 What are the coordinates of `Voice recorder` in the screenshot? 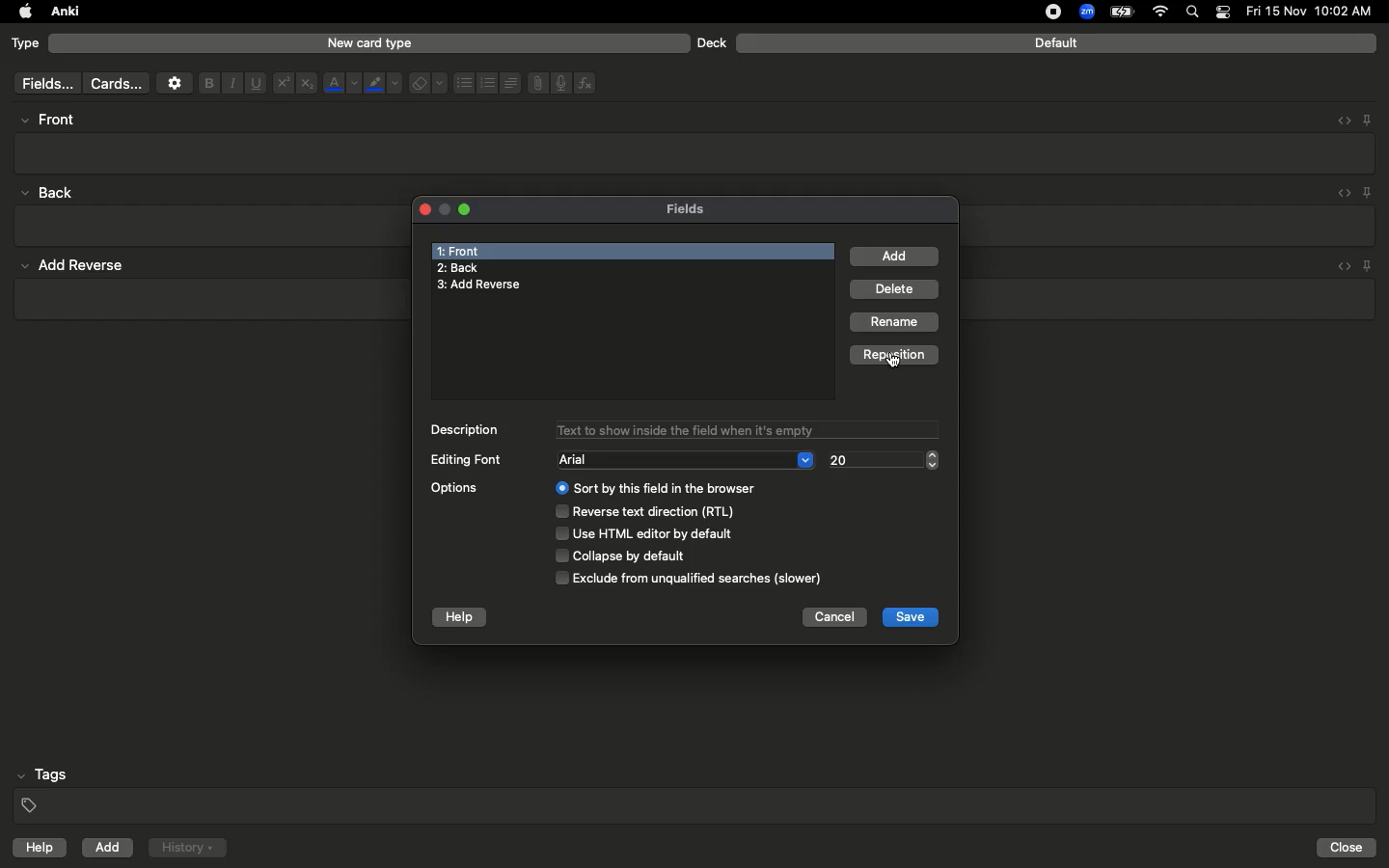 It's located at (559, 81).